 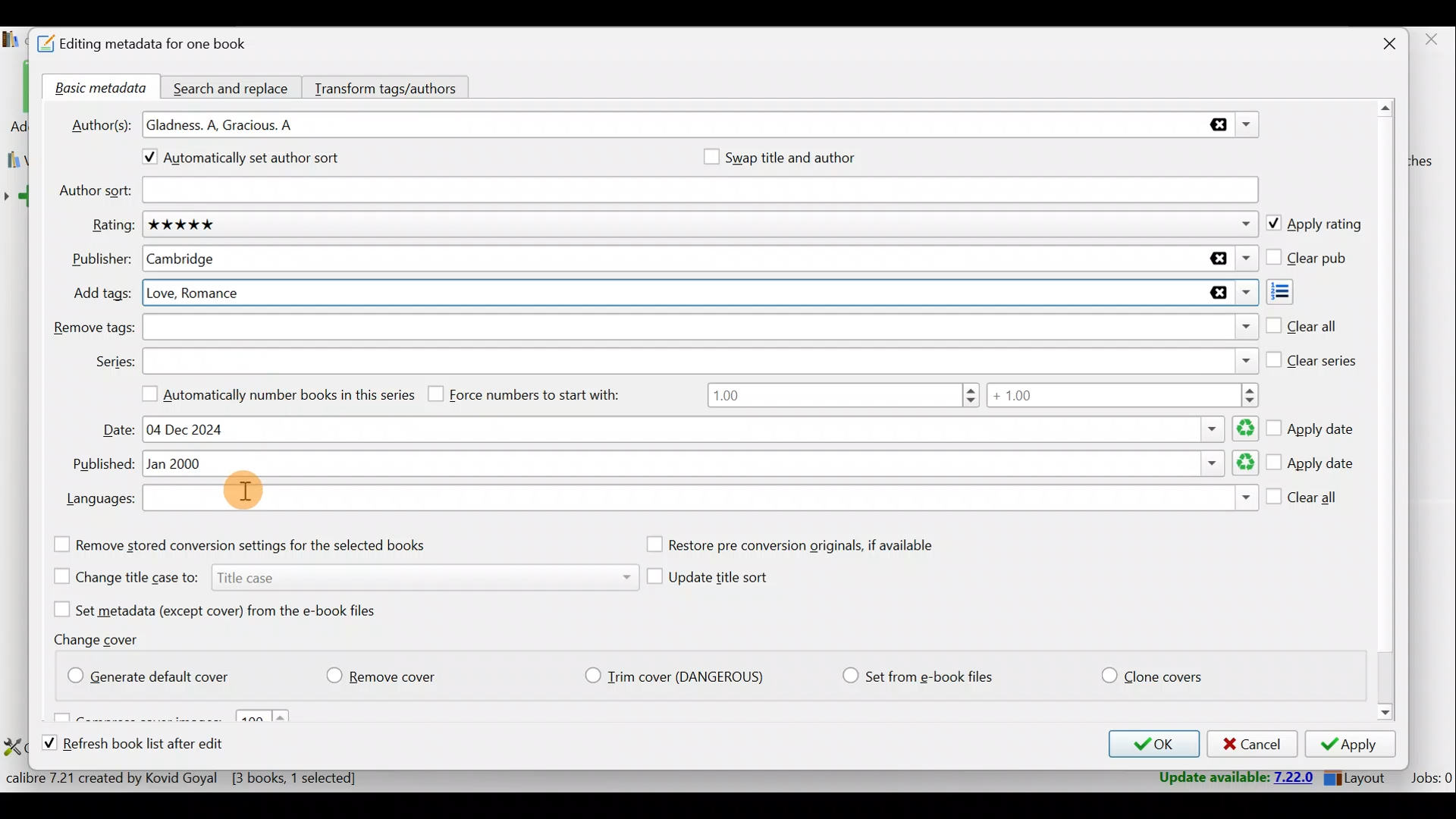 What do you see at coordinates (112, 225) in the screenshot?
I see `Rating:` at bounding box center [112, 225].